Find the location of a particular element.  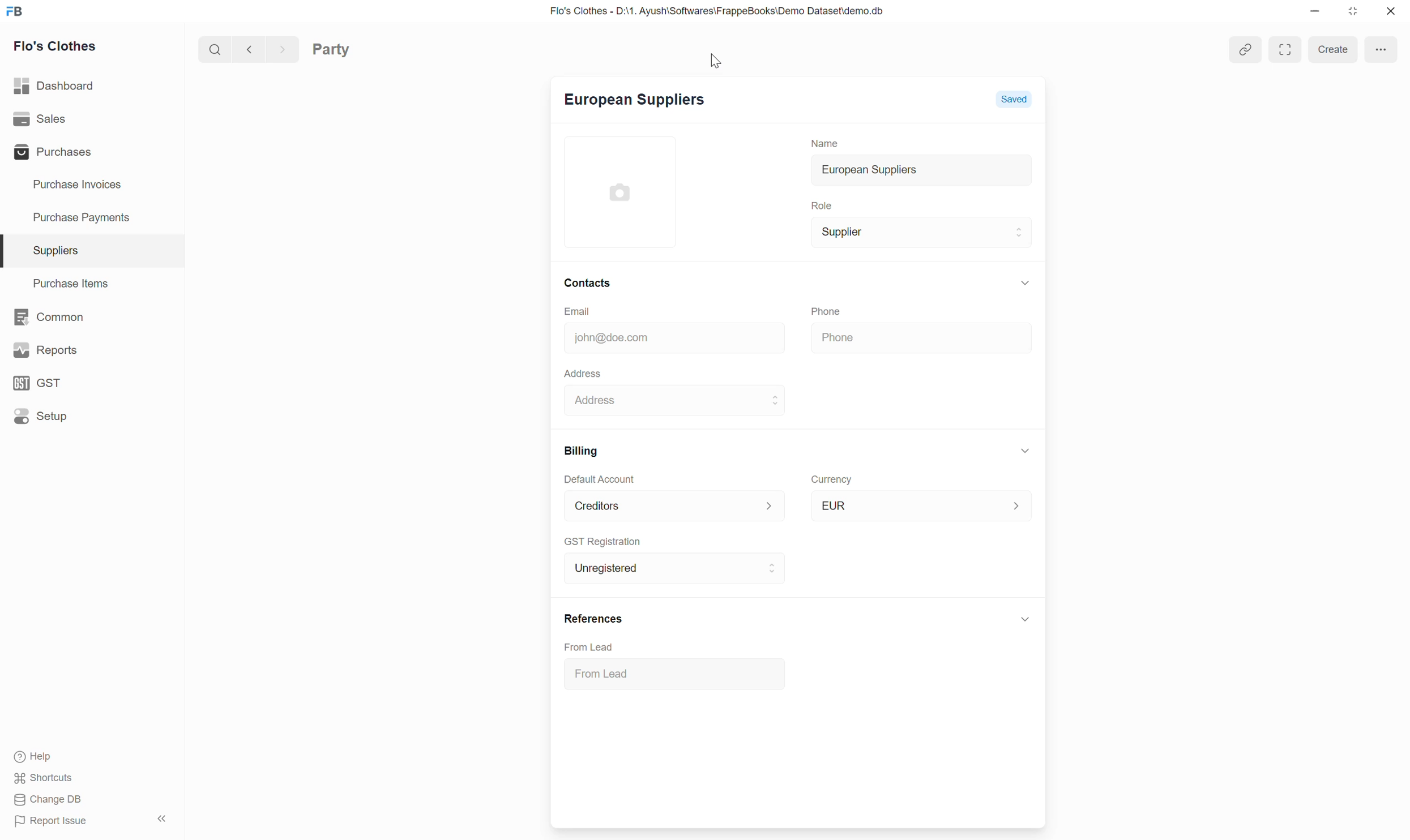

search is located at coordinates (210, 48).